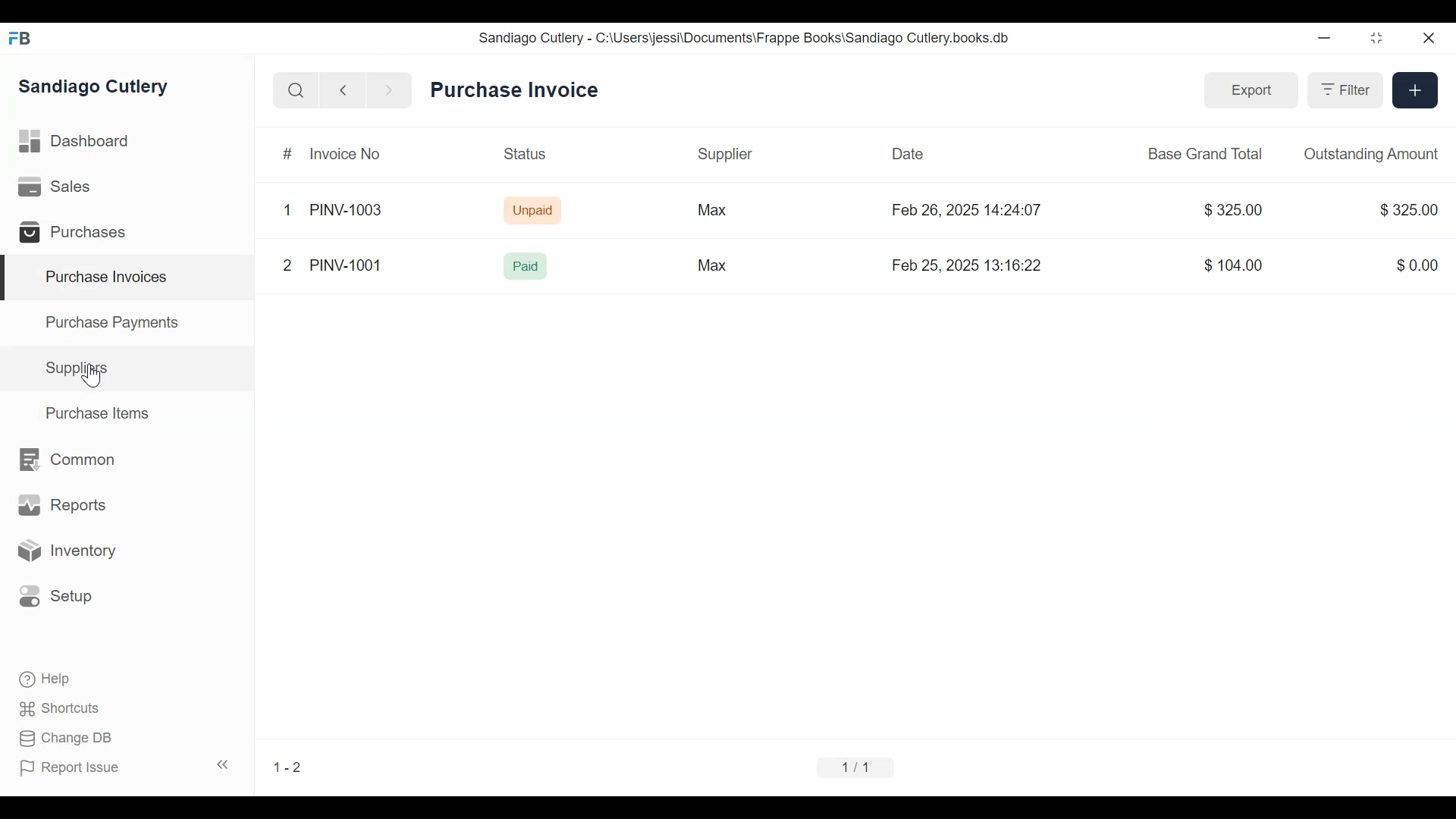  Describe the element at coordinates (99, 88) in the screenshot. I see `Sandiago Cutlery` at that location.